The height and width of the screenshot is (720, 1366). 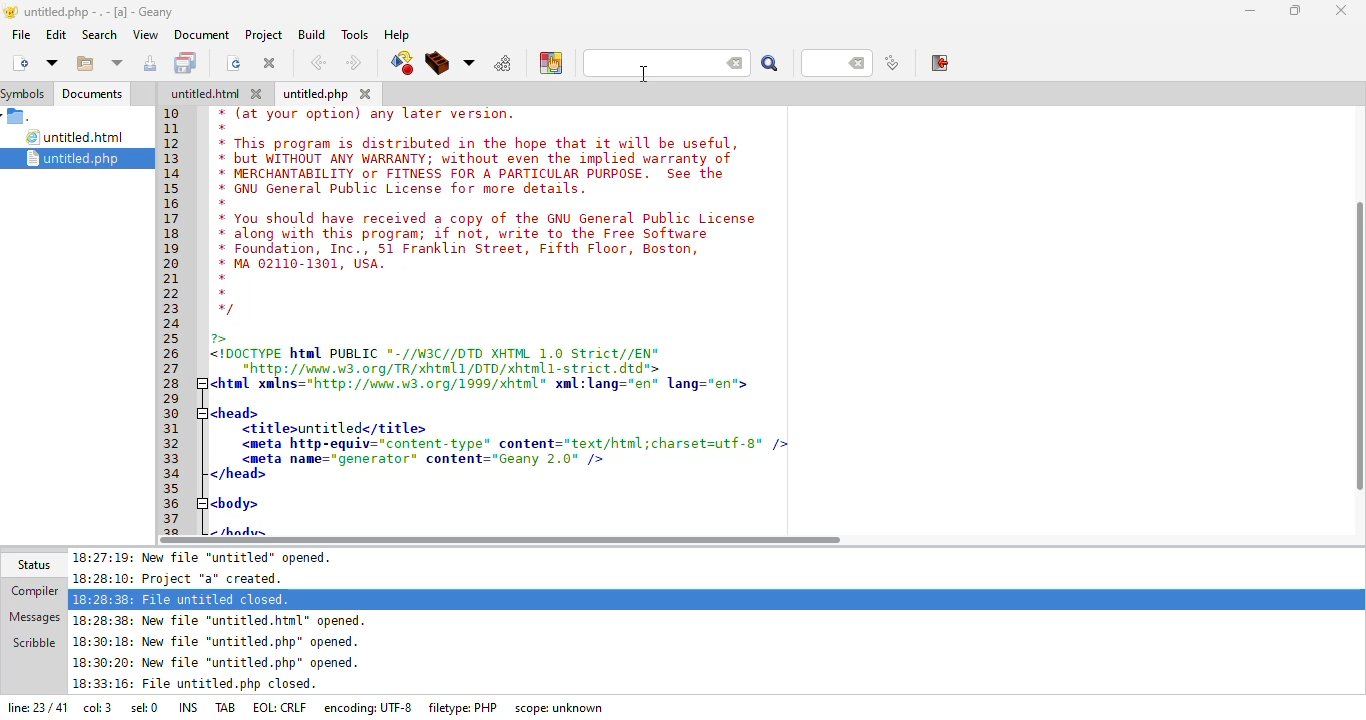 What do you see at coordinates (642, 74) in the screenshot?
I see `cursor` at bounding box center [642, 74].